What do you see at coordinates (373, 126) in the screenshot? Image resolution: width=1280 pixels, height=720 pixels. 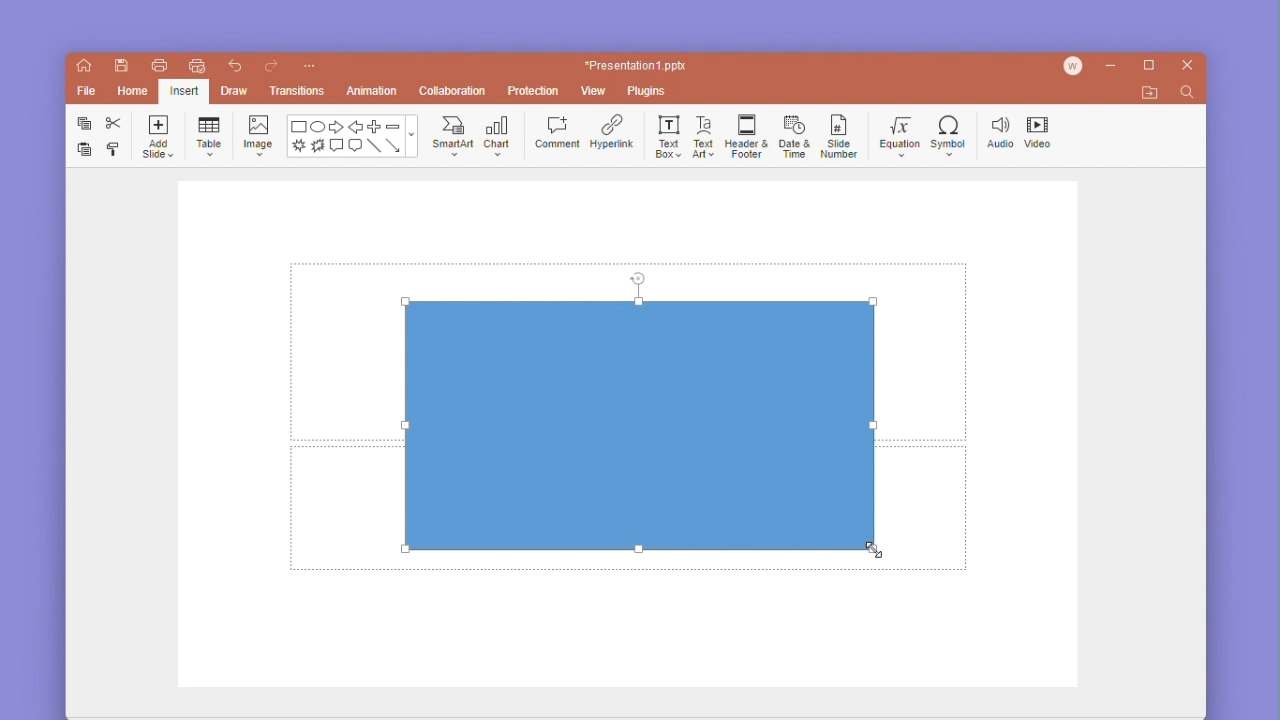 I see `plus` at bounding box center [373, 126].